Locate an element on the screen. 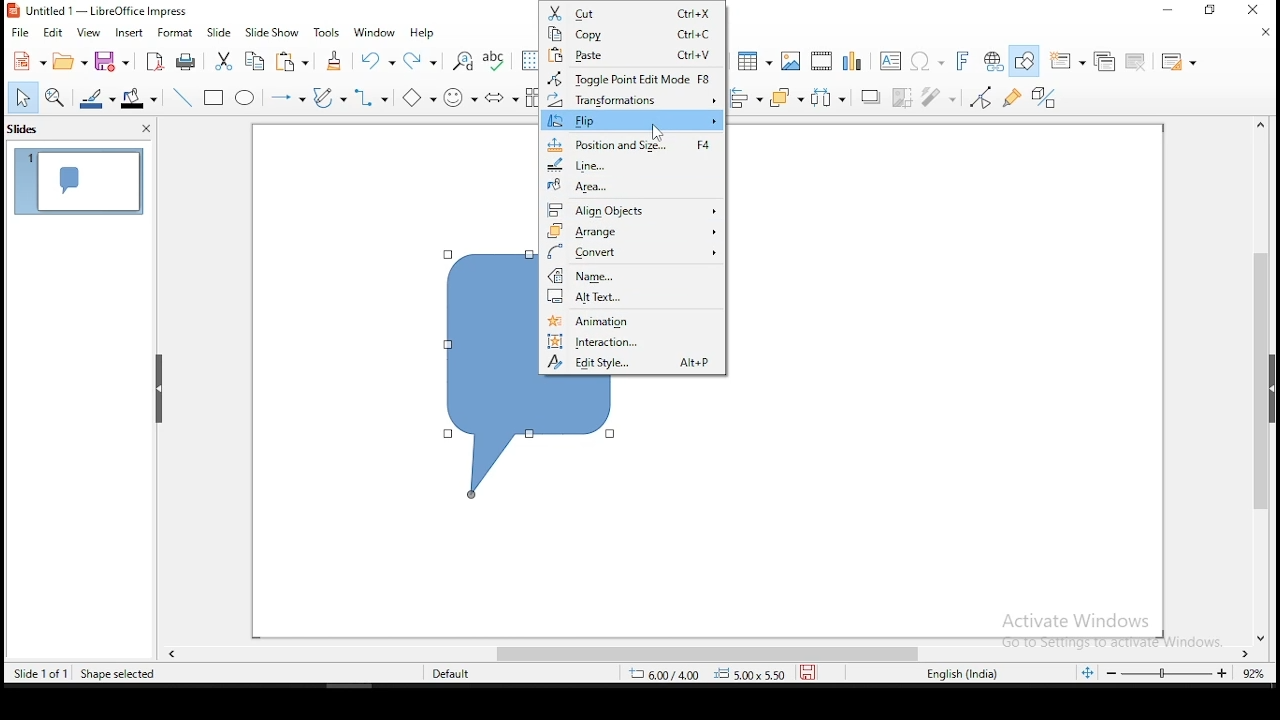  restore is located at coordinates (1169, 11).